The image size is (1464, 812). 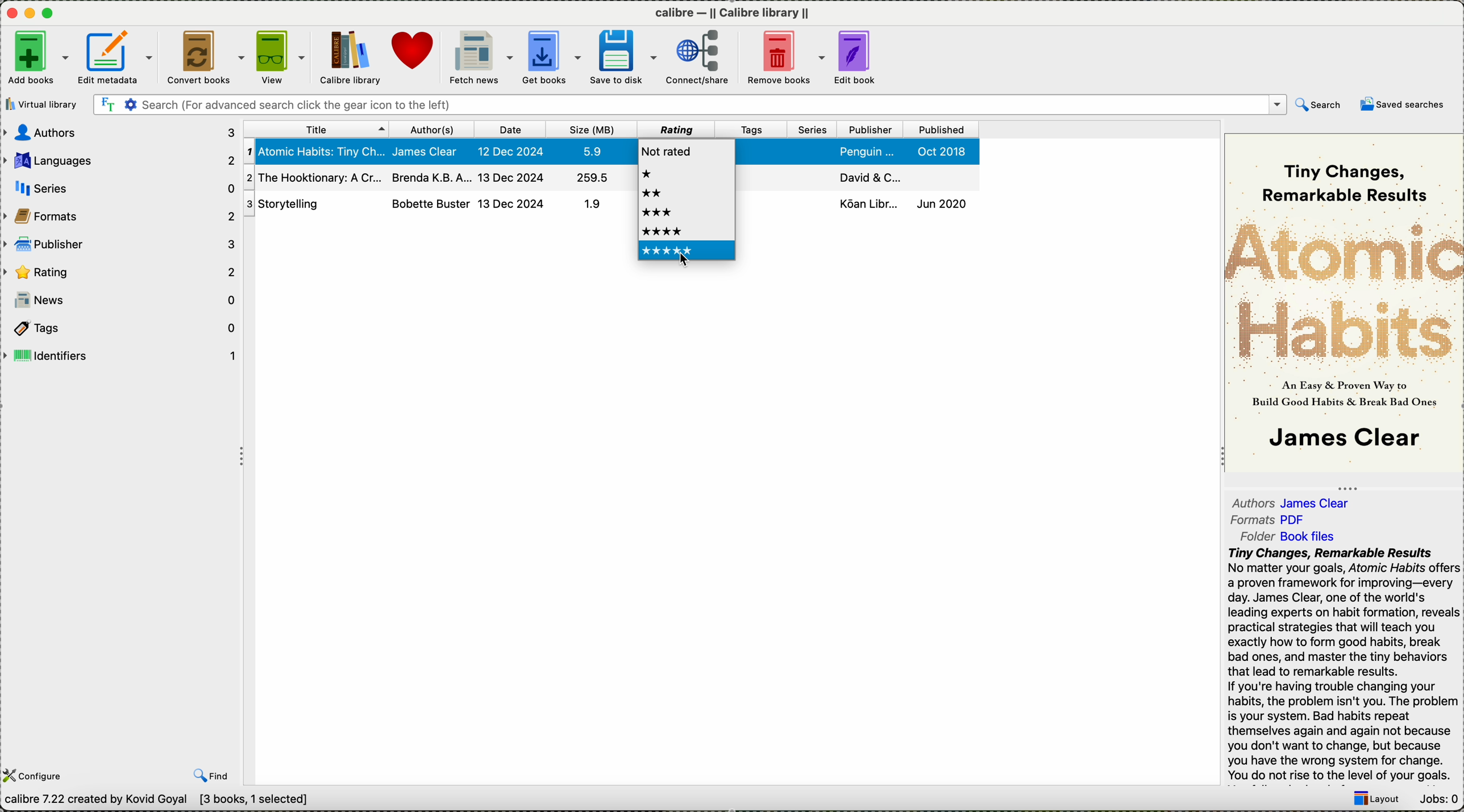 I want to click on bobette buster, so click(x=430, y=203).